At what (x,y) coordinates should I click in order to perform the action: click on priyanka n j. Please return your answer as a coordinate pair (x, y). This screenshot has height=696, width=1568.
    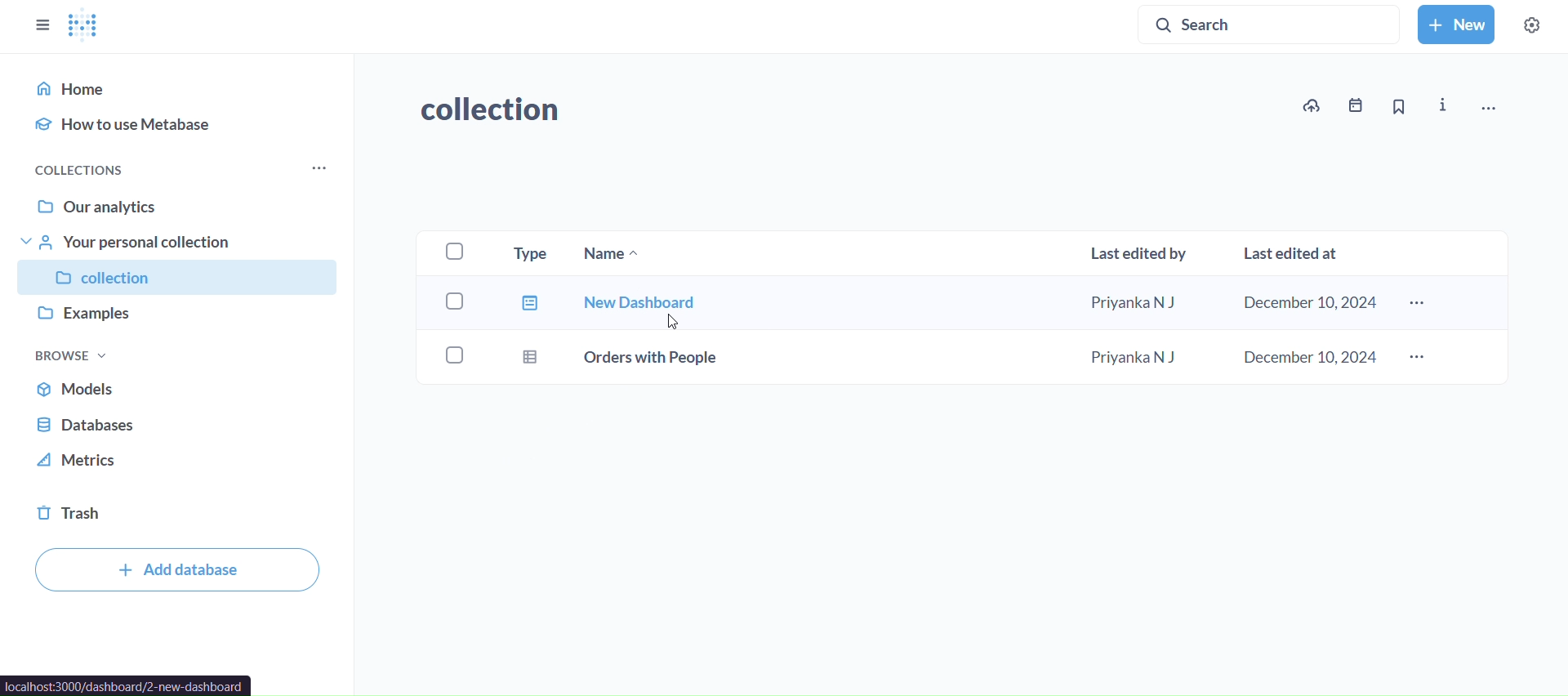
    Looking at the image, I should click on (1133, 360).